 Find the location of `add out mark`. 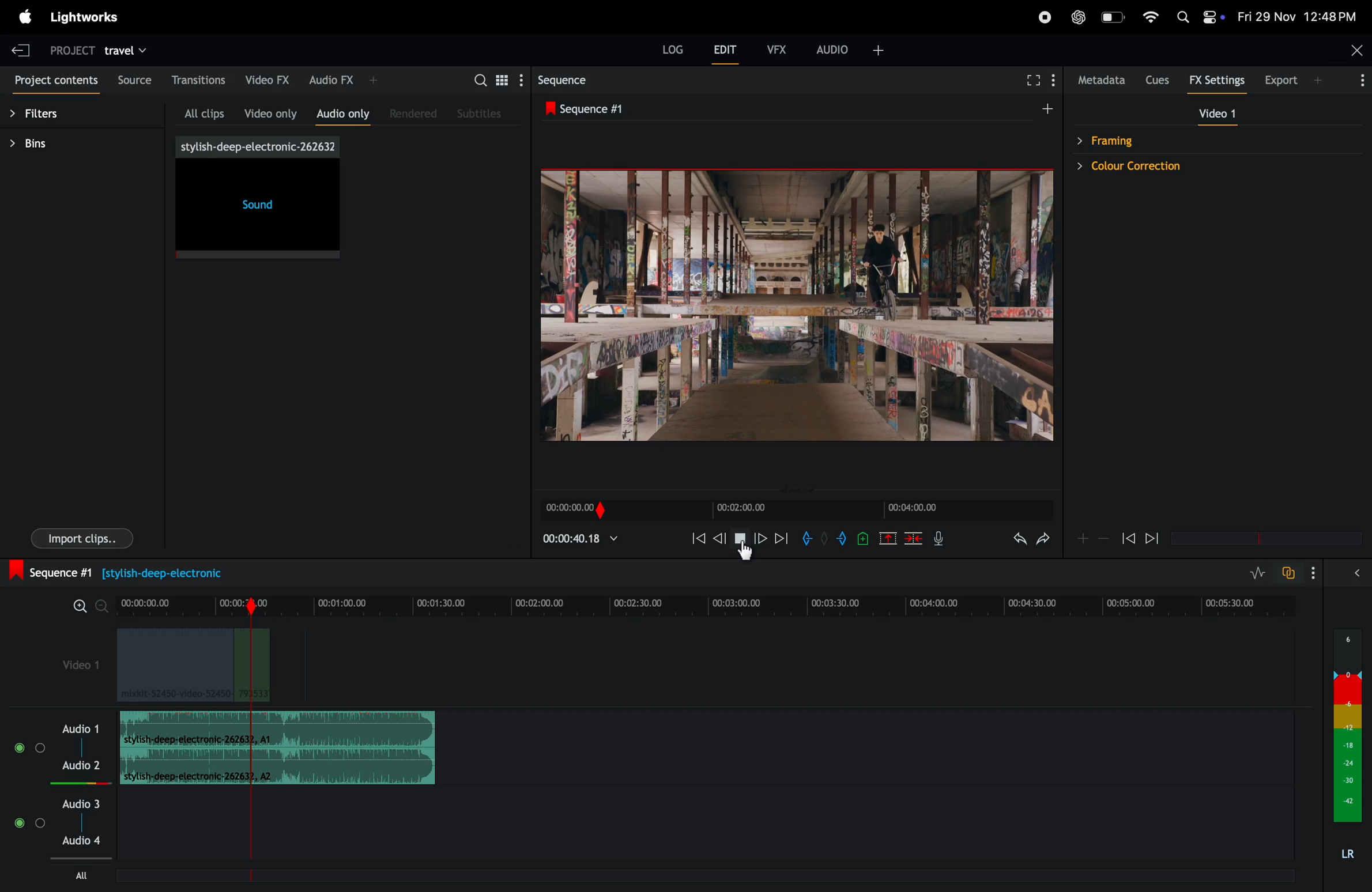

add out mark is located at coordinates (843, 538).